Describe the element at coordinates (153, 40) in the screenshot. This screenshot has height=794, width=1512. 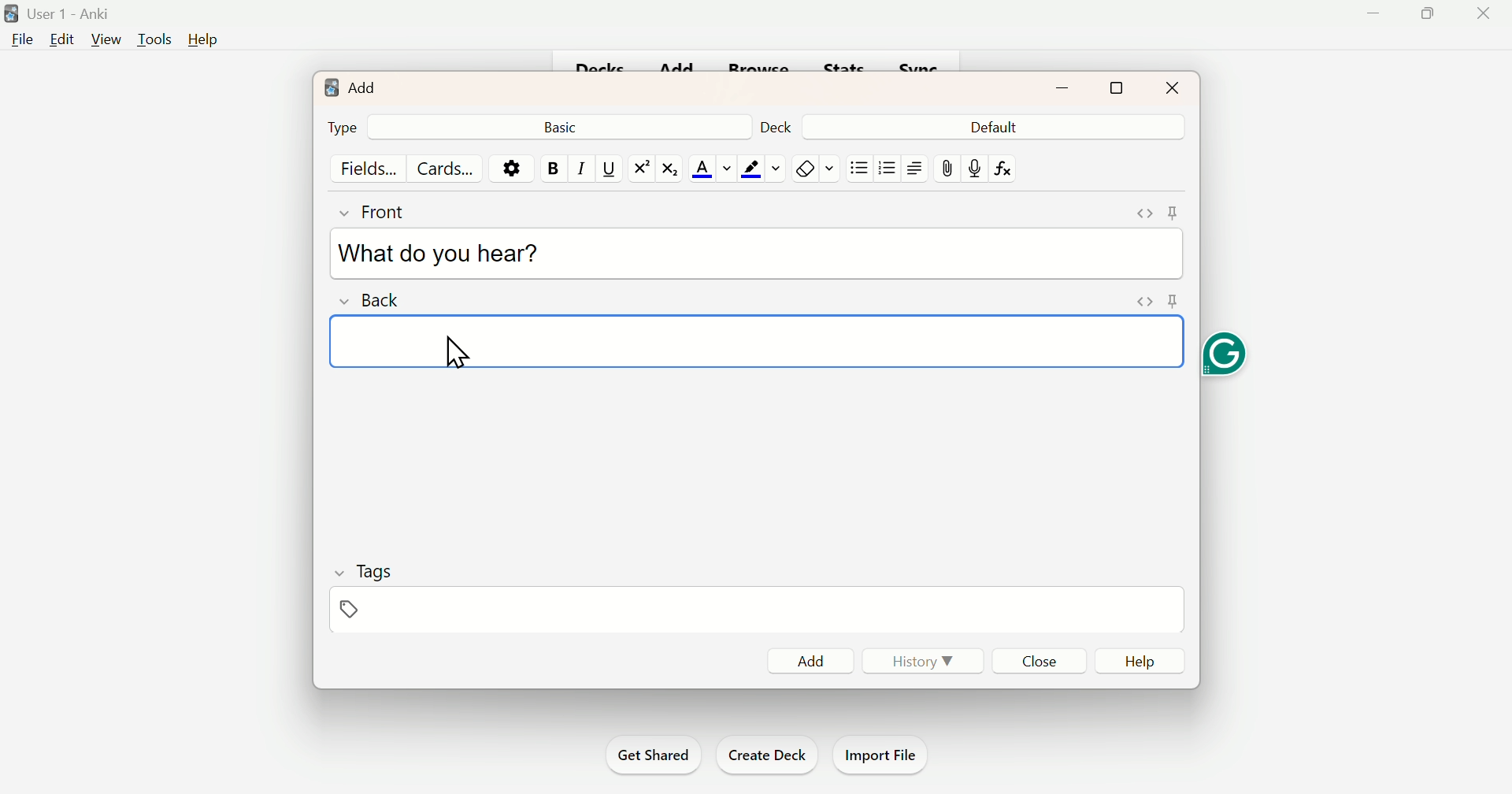
I see `Tools` at that location.